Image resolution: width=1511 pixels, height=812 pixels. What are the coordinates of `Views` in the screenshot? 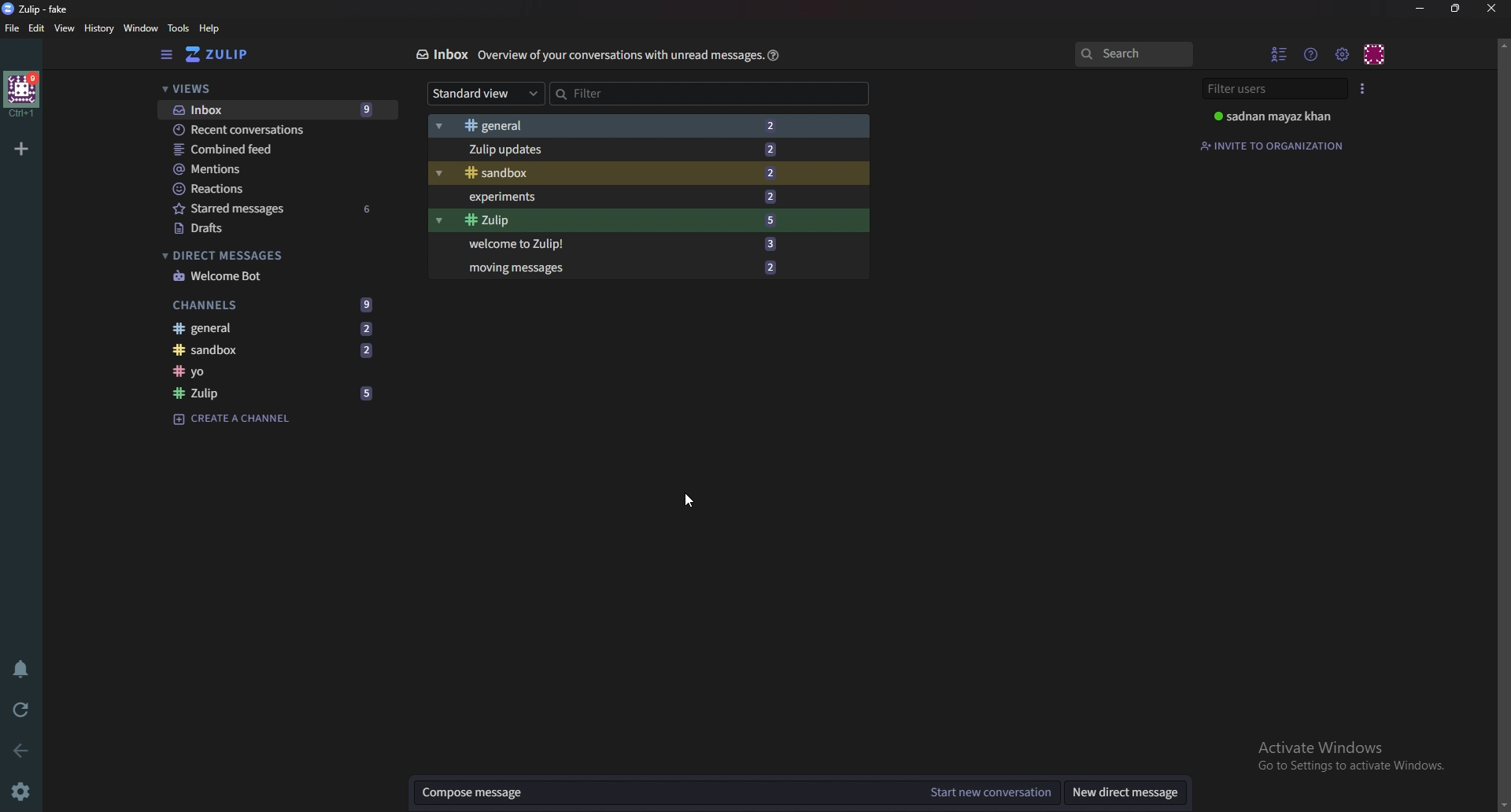 It's located at (197, 90).